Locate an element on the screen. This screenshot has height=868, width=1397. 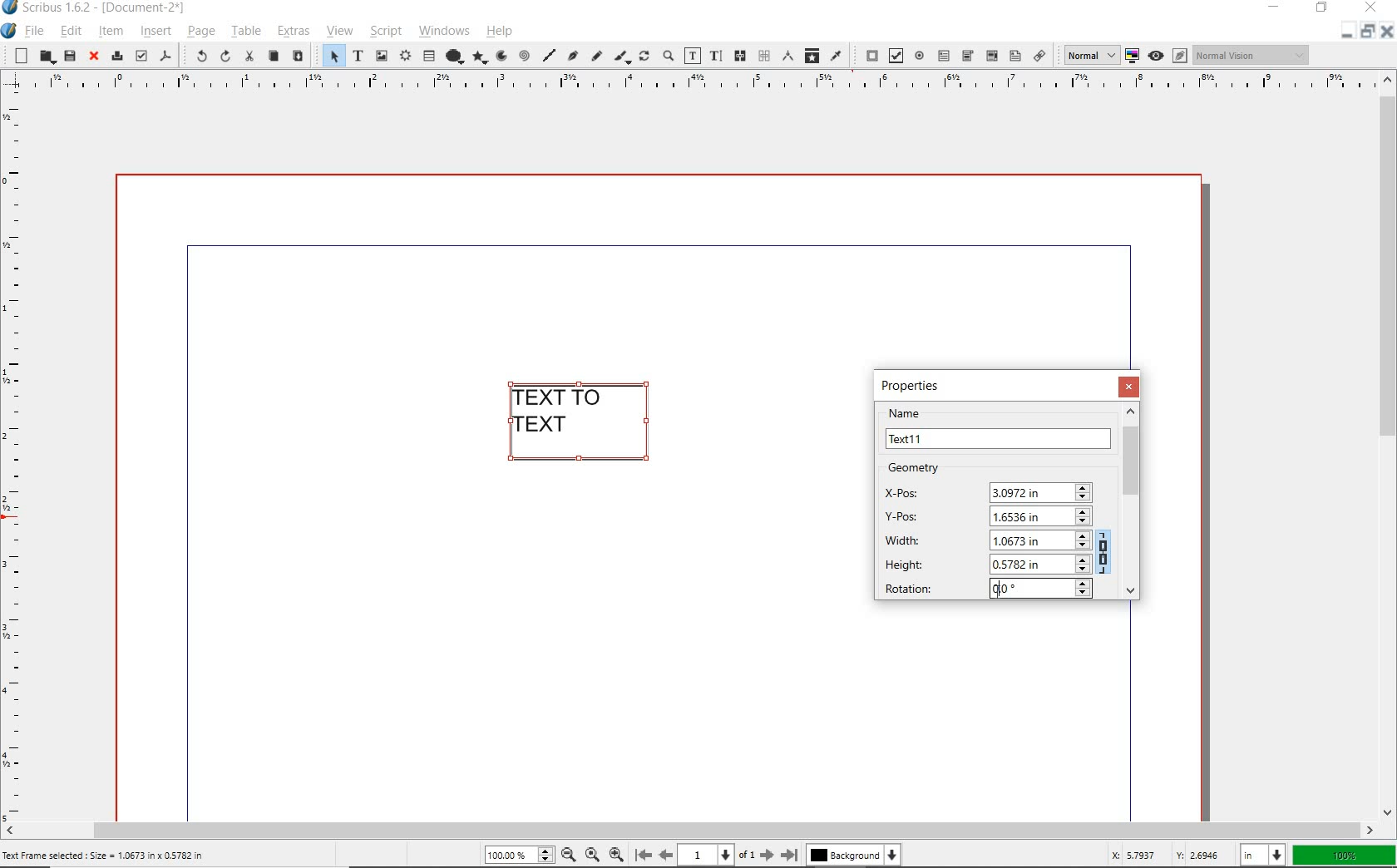
system name is located at coordinates (107, 8).